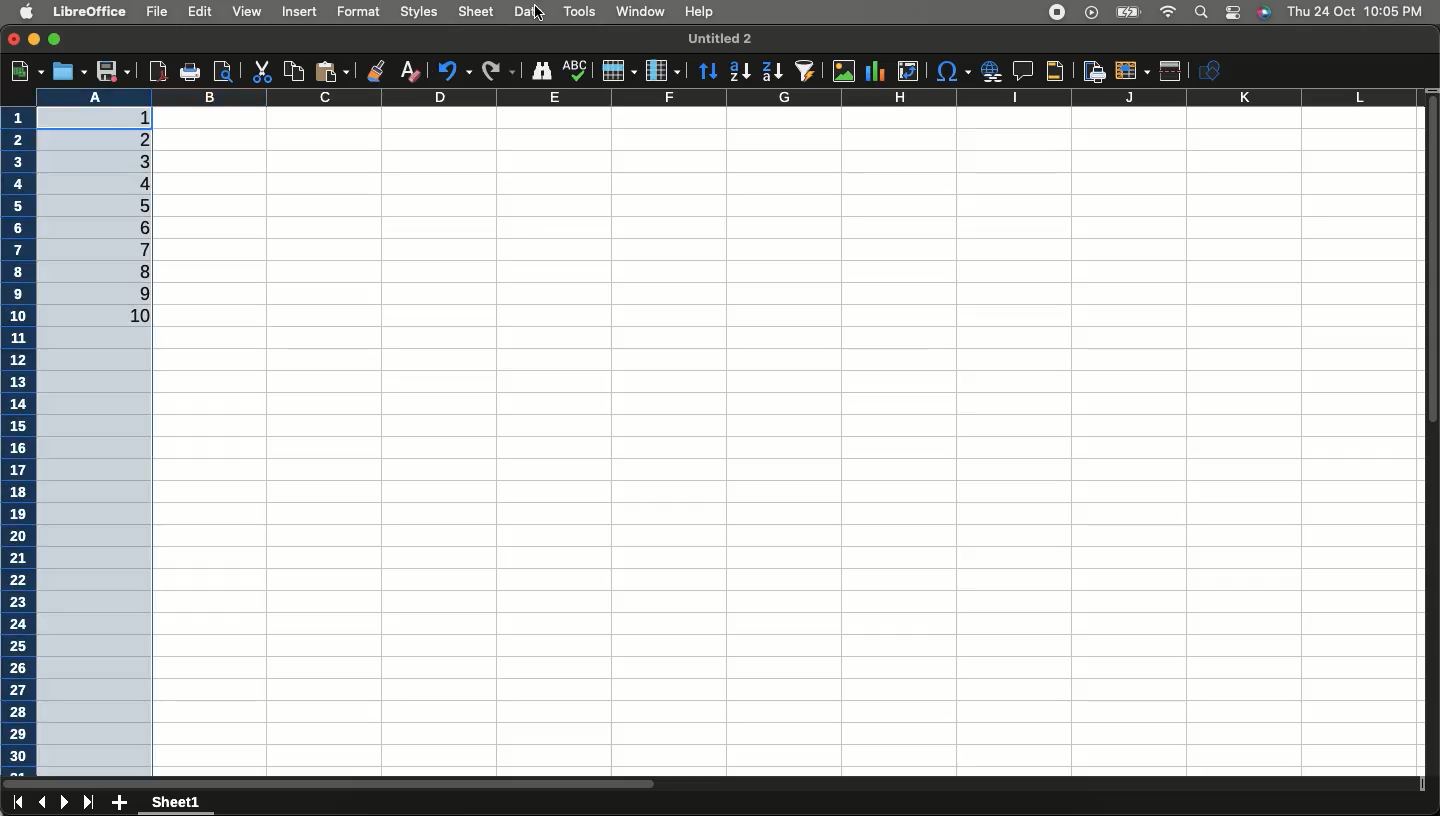  Describe the element at coordinates (709, 70) in the screenshot. I see `Sort` at that location.